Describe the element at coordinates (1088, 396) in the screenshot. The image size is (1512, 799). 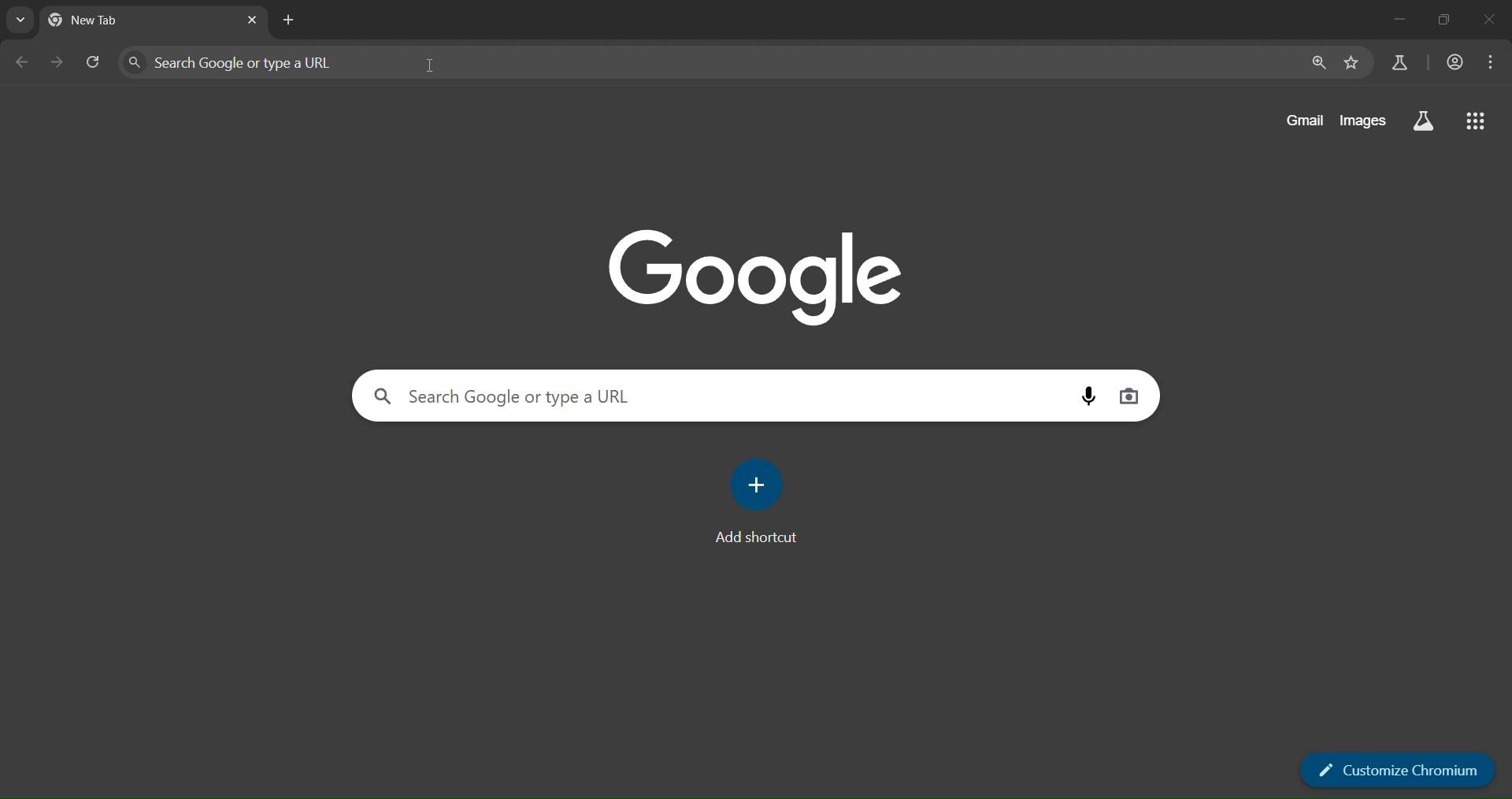
I see `voice search` at that location.